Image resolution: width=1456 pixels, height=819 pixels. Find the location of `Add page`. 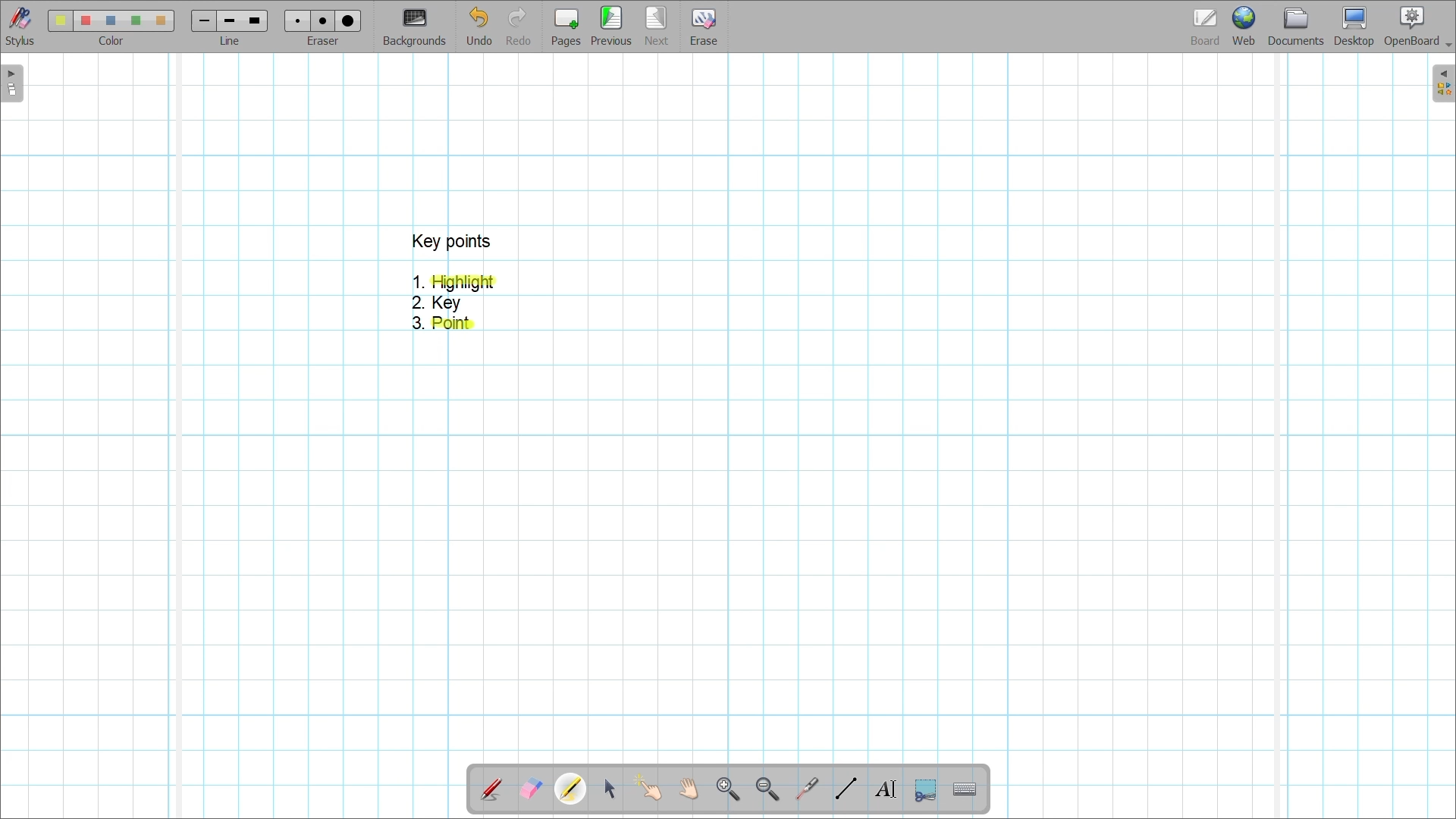

Add page is located at coordinates (566, 27).